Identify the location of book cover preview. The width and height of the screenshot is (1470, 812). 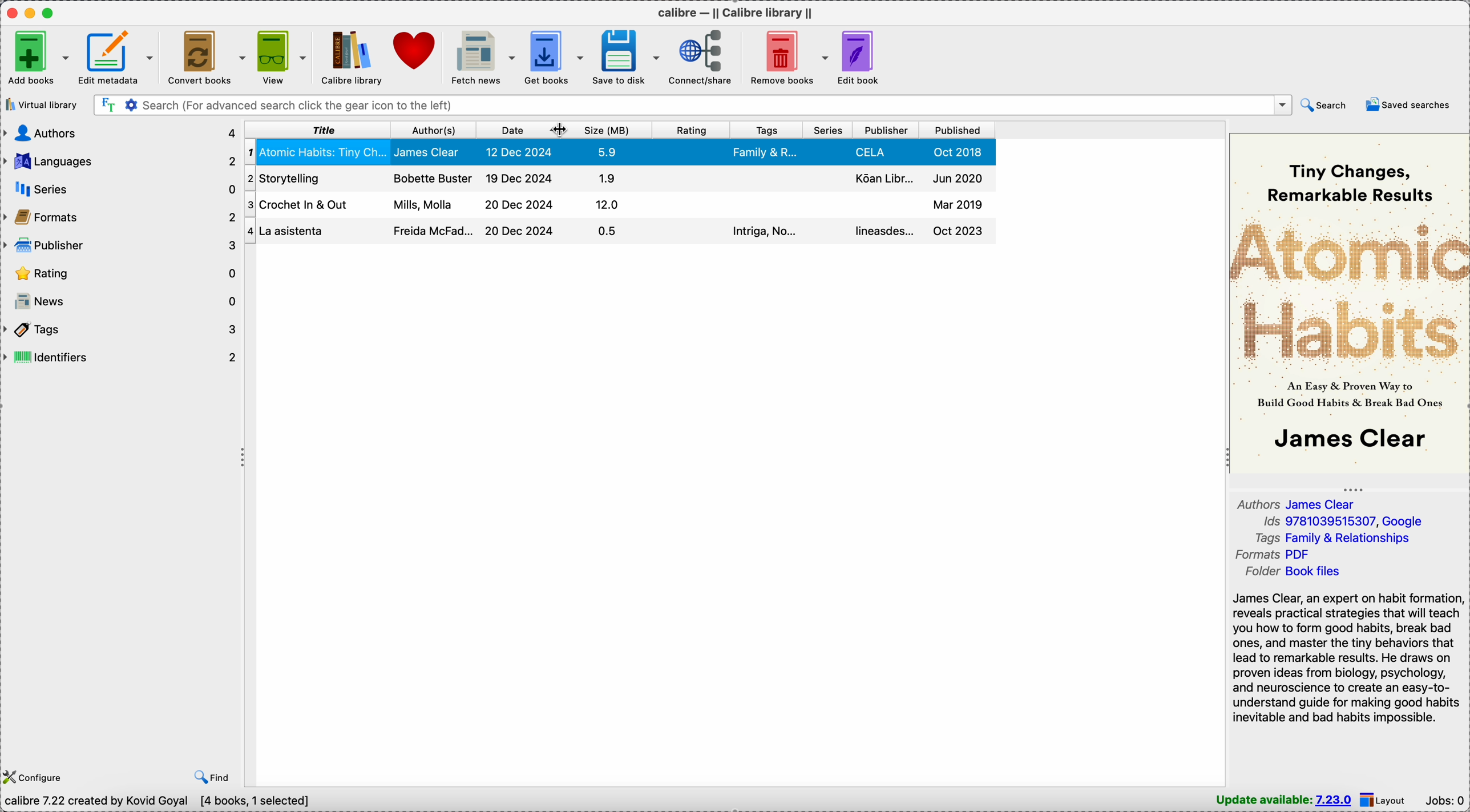
(1350, 304).